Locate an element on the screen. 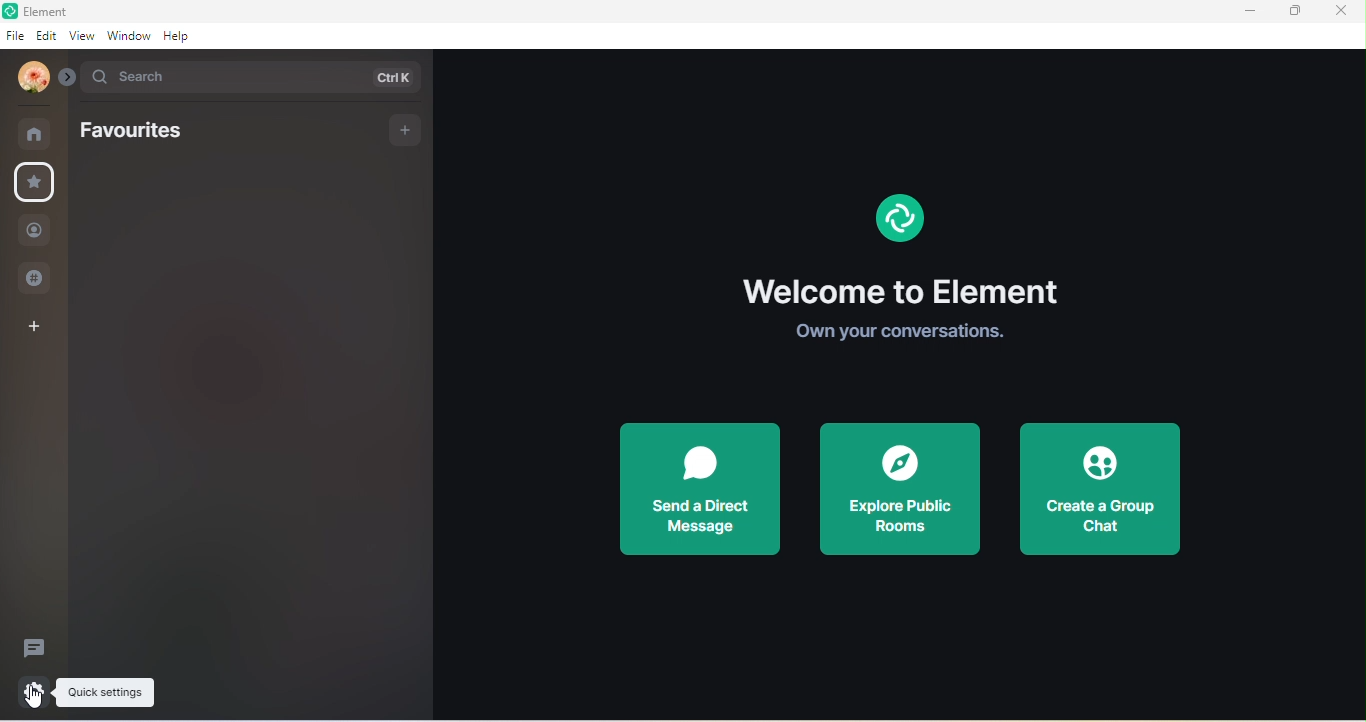 The width and height of the screenshot is (1366, 722). element is located at coordinates (73, 12).